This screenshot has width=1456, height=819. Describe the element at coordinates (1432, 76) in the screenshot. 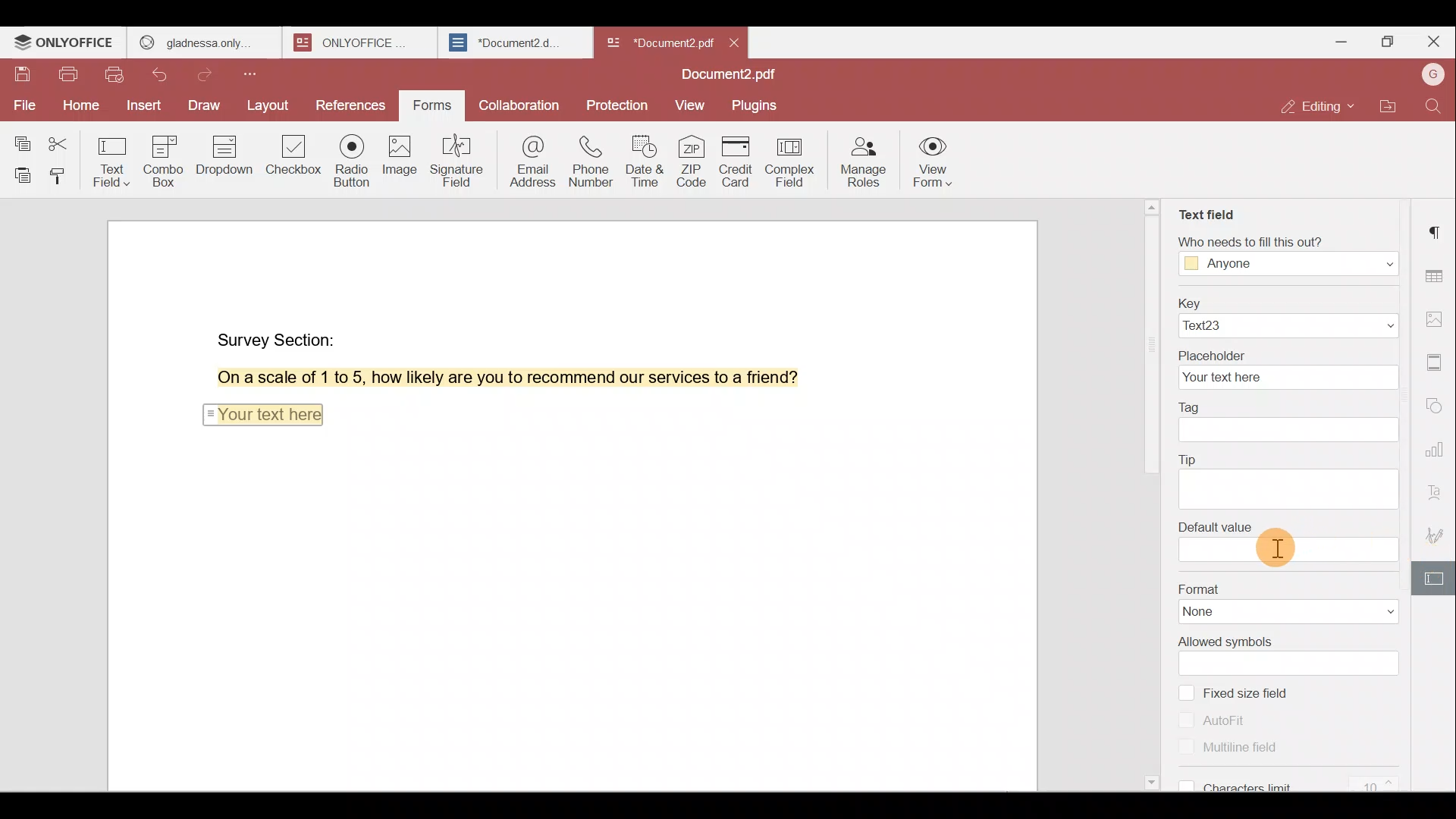

I see `Account name` at that location.